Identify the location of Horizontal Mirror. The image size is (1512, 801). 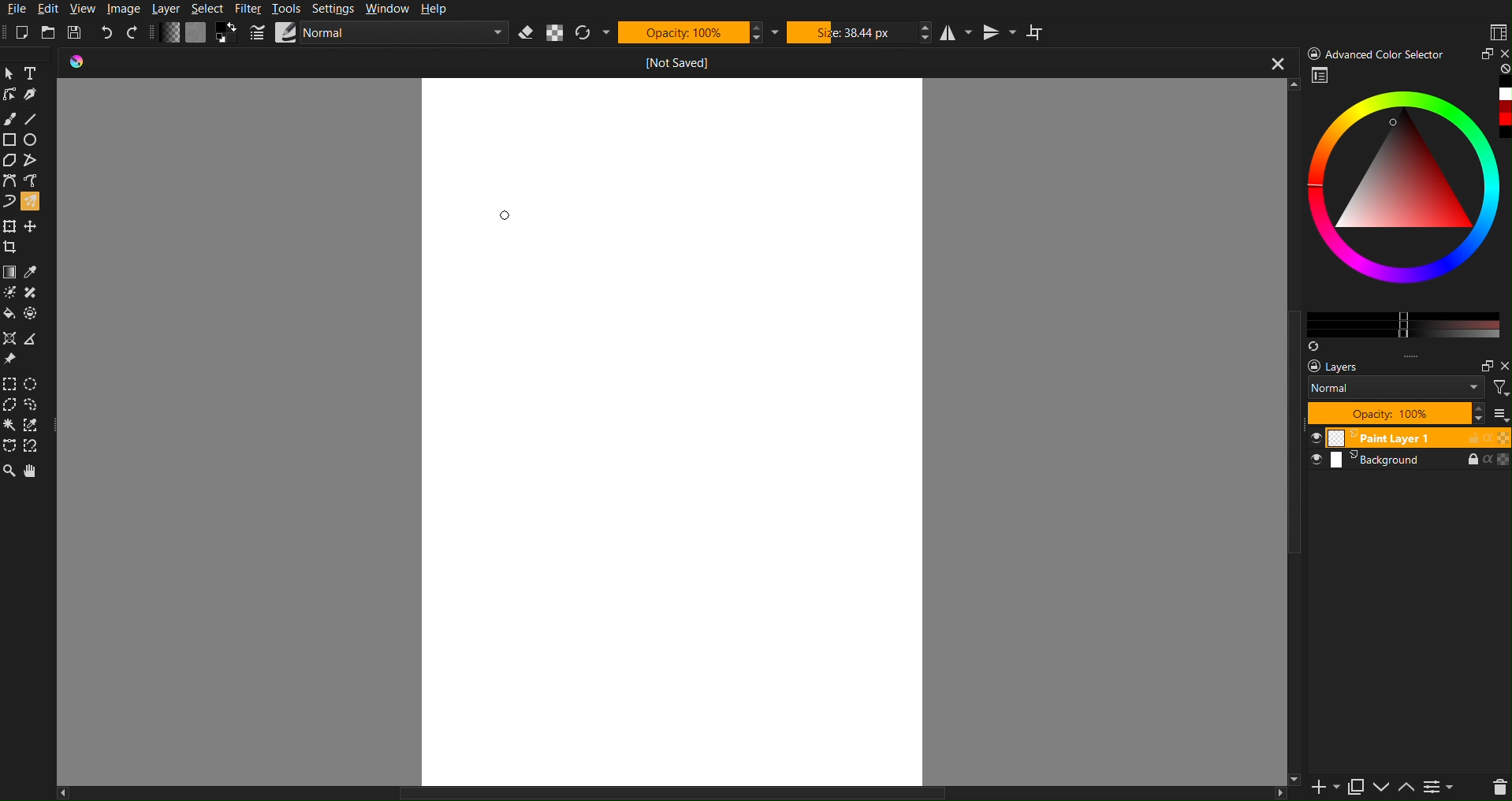
(954, 33).